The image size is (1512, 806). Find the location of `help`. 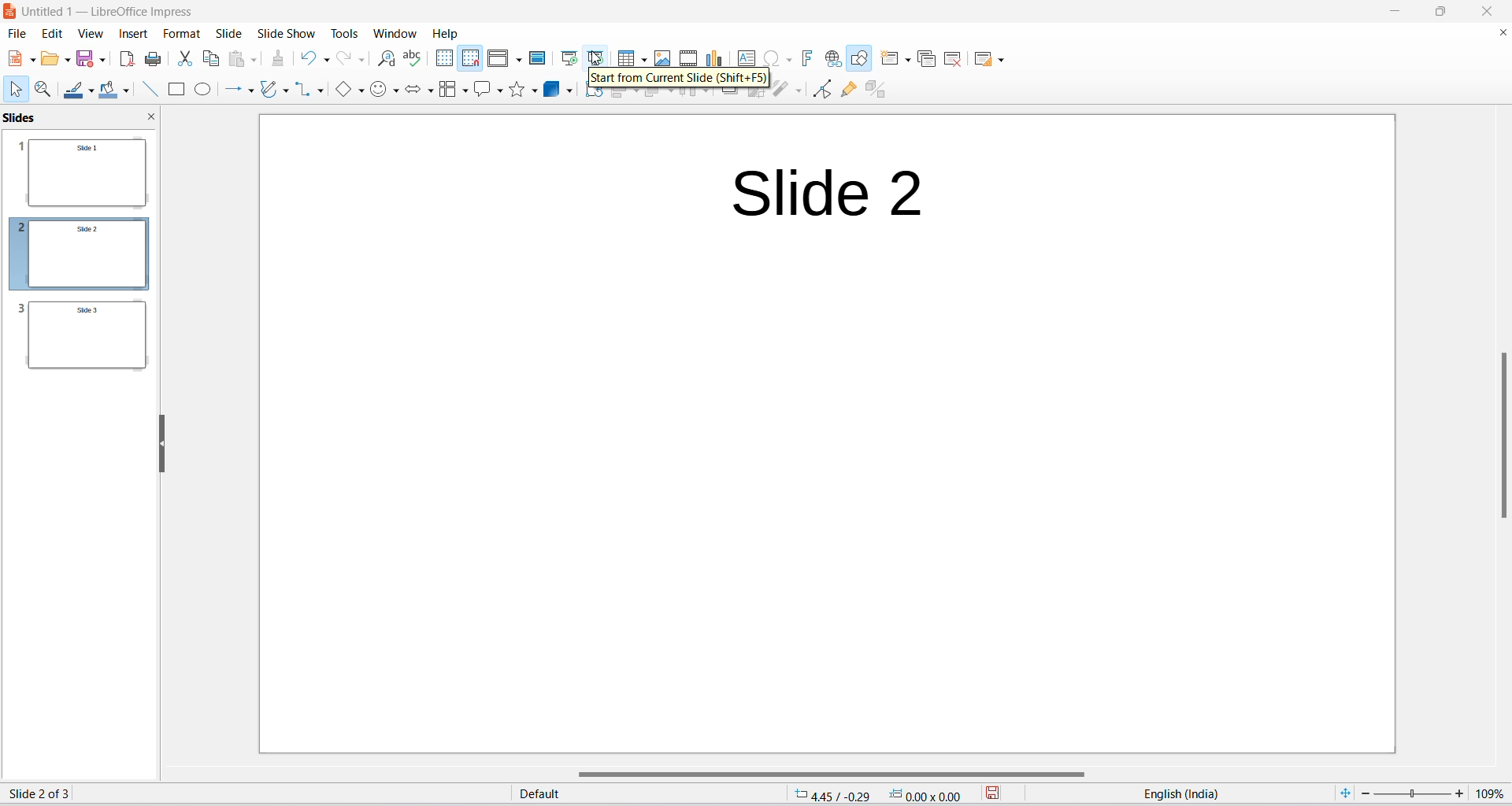

help is located at coordinates (447, 33).